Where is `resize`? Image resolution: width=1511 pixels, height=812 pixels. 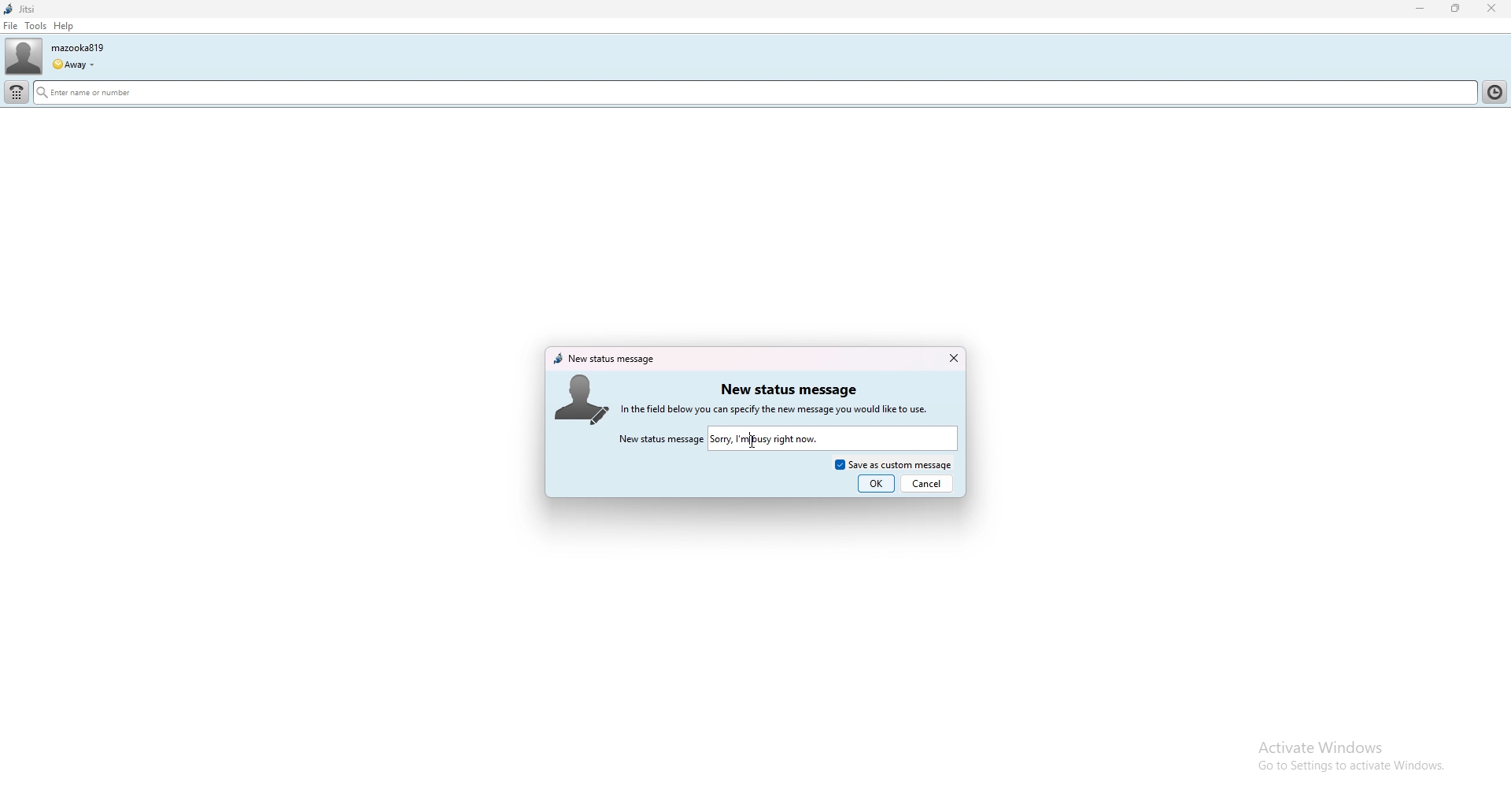
resize is located at coordinates (1457, 8).